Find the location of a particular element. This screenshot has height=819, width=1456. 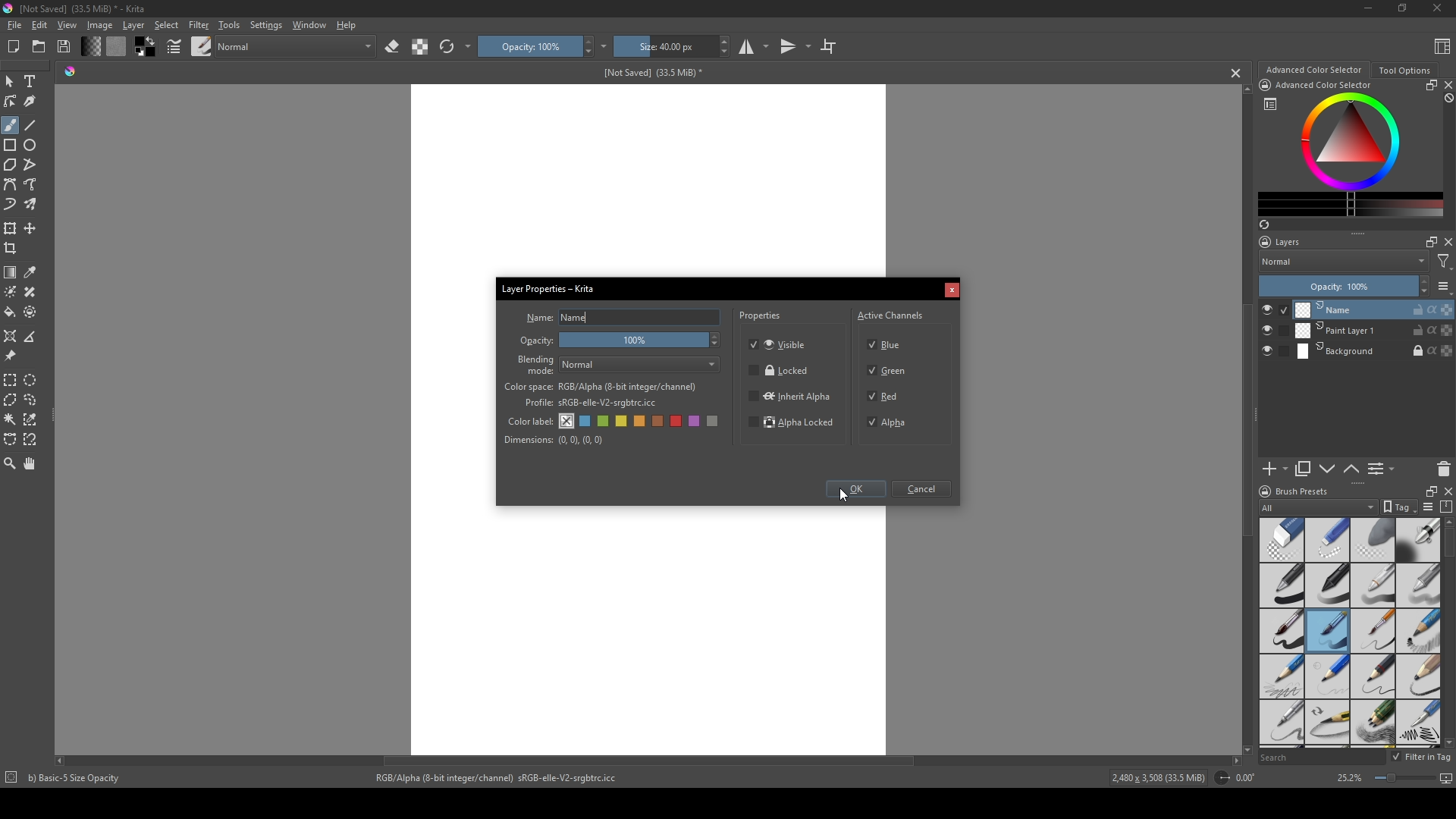

25.2% is located at coordinates (1348, 779).